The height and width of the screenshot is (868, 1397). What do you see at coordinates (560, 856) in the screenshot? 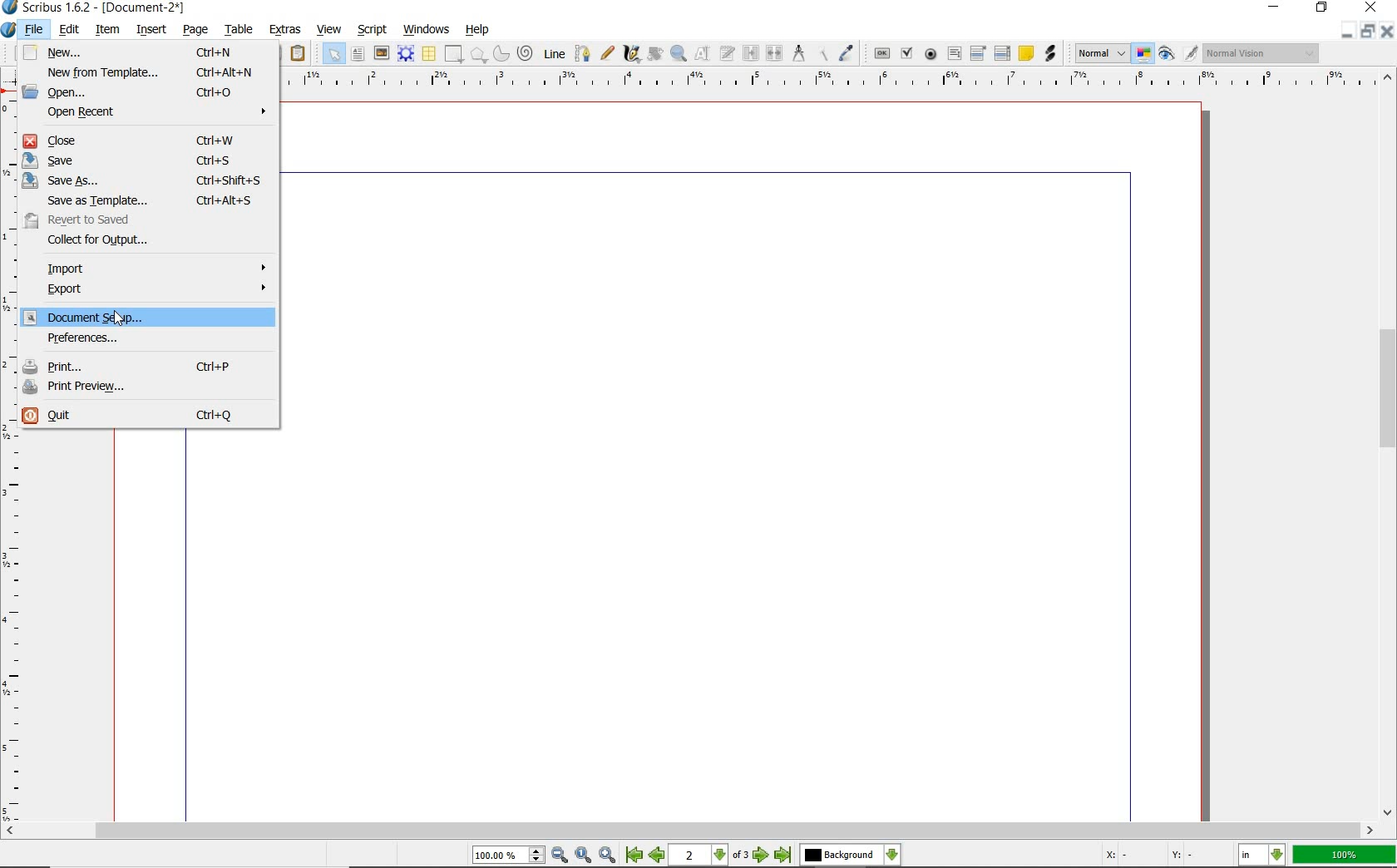
I see `Zoom Out` at bounding box center [560, 856].